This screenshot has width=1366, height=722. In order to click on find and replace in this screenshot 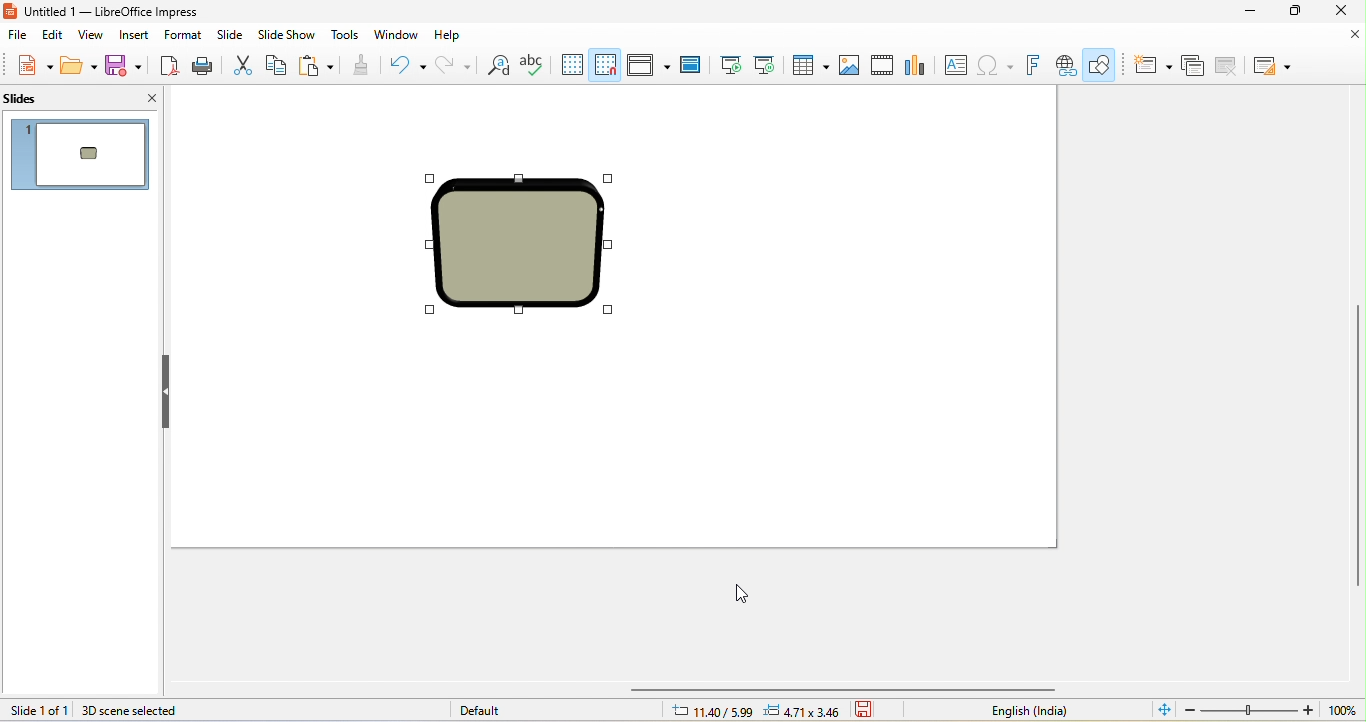, I will do `click(498, 65)`.